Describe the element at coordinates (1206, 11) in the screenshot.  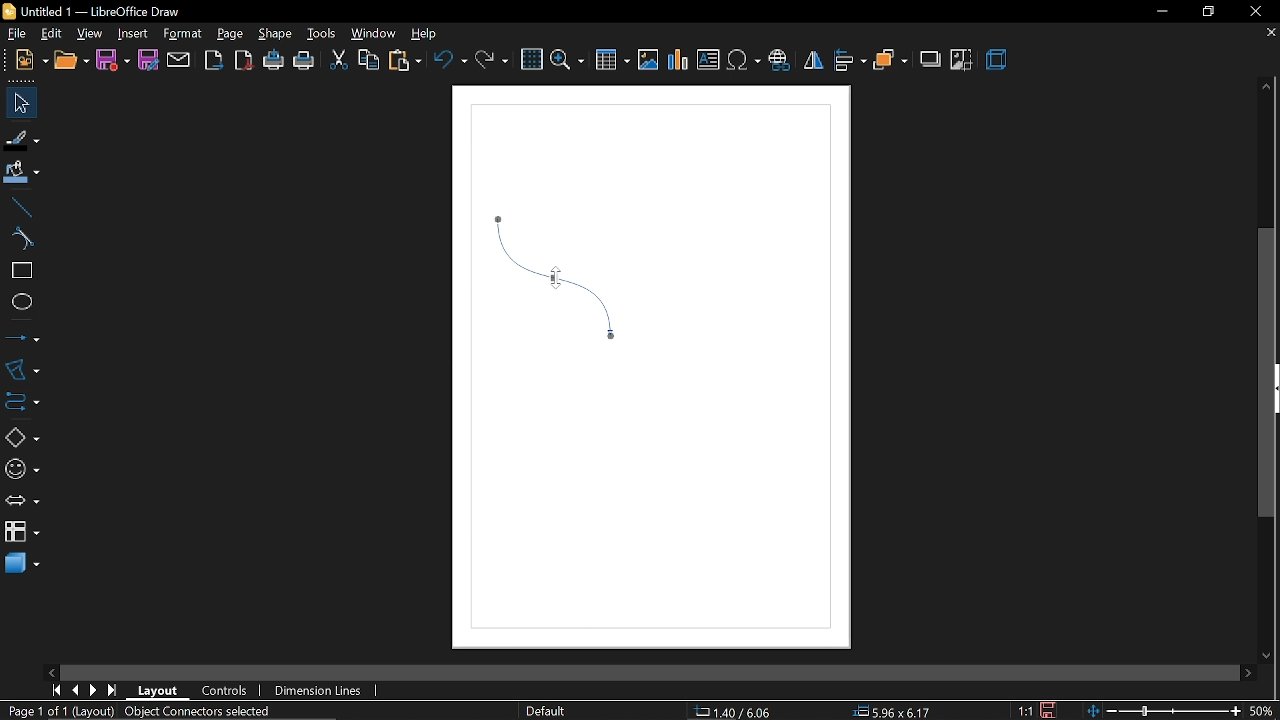
I see `restore down` at that location.